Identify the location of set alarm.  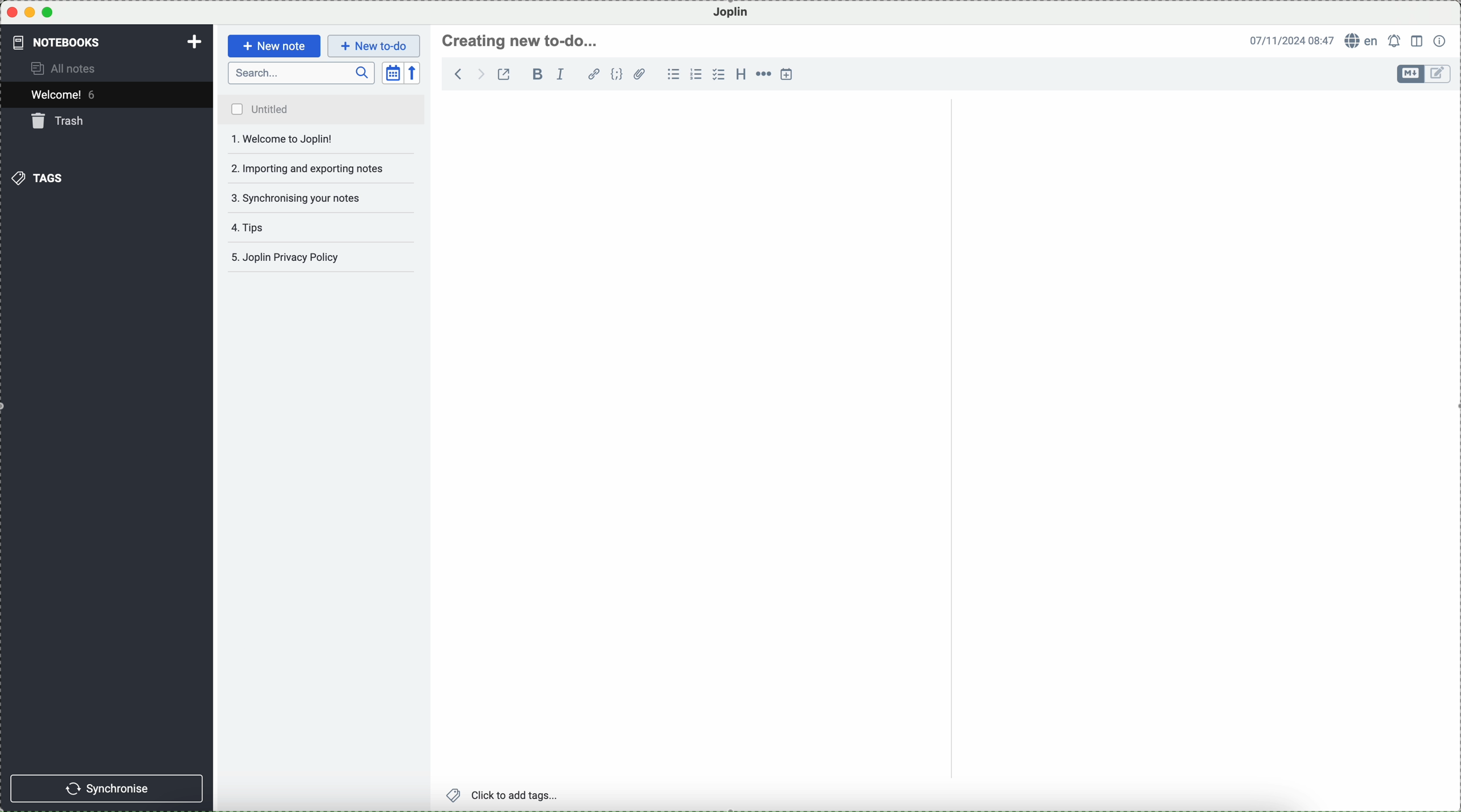
(1396, 41).